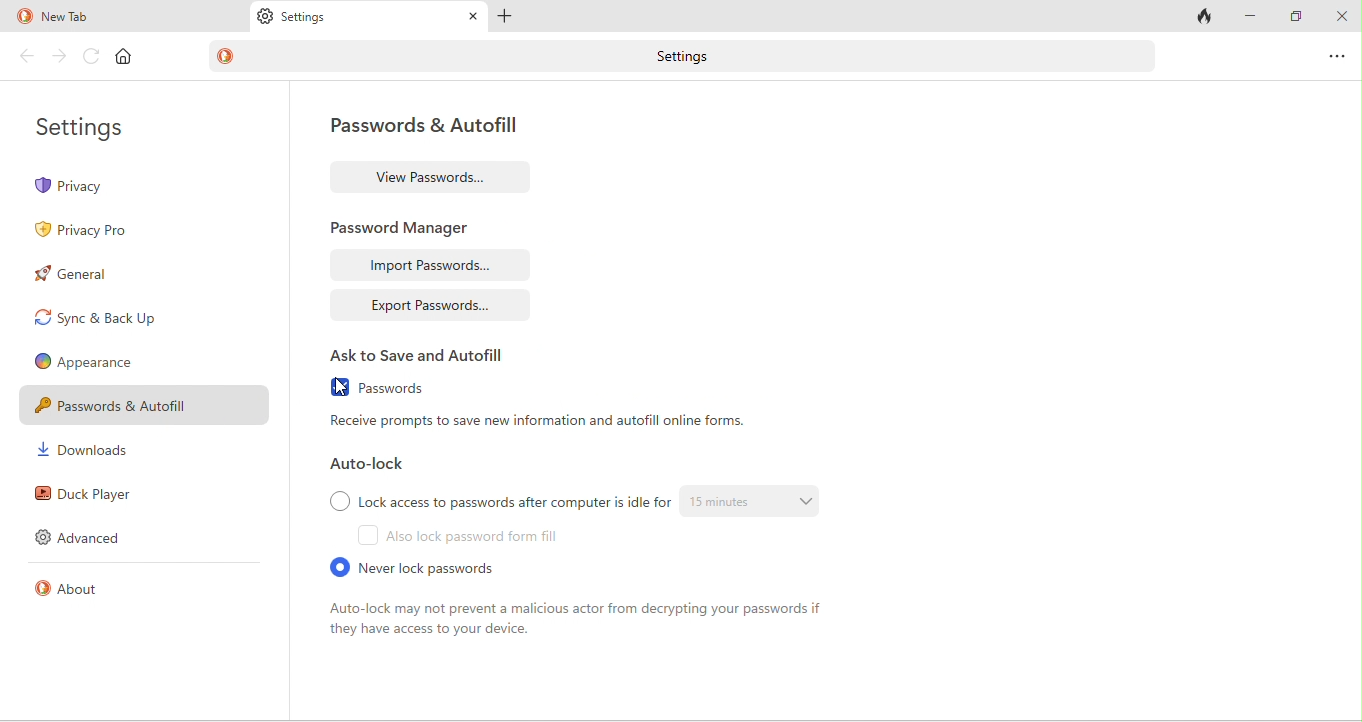  What do you see at coordinates (26, 56) in the screenshot?
I see `back` at bounding box center [26, 56].